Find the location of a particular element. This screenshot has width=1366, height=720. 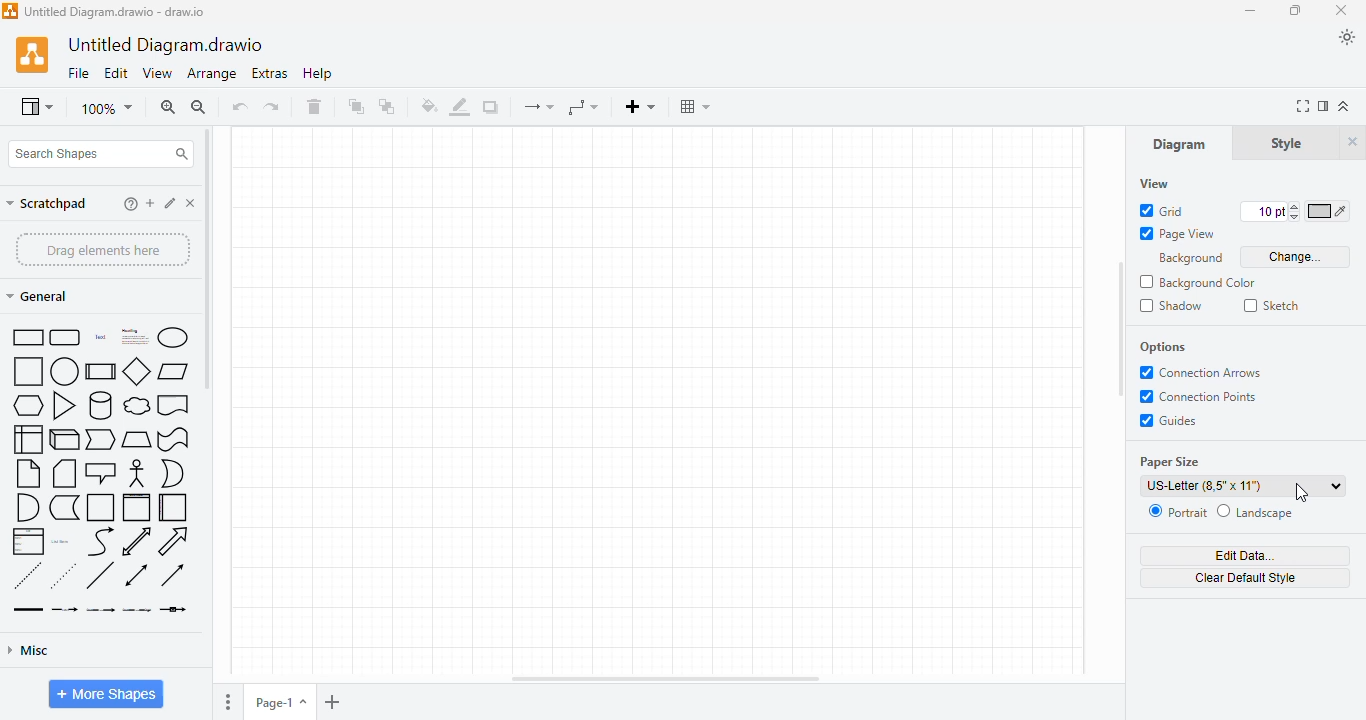

text is located at coordinates (100, 337).